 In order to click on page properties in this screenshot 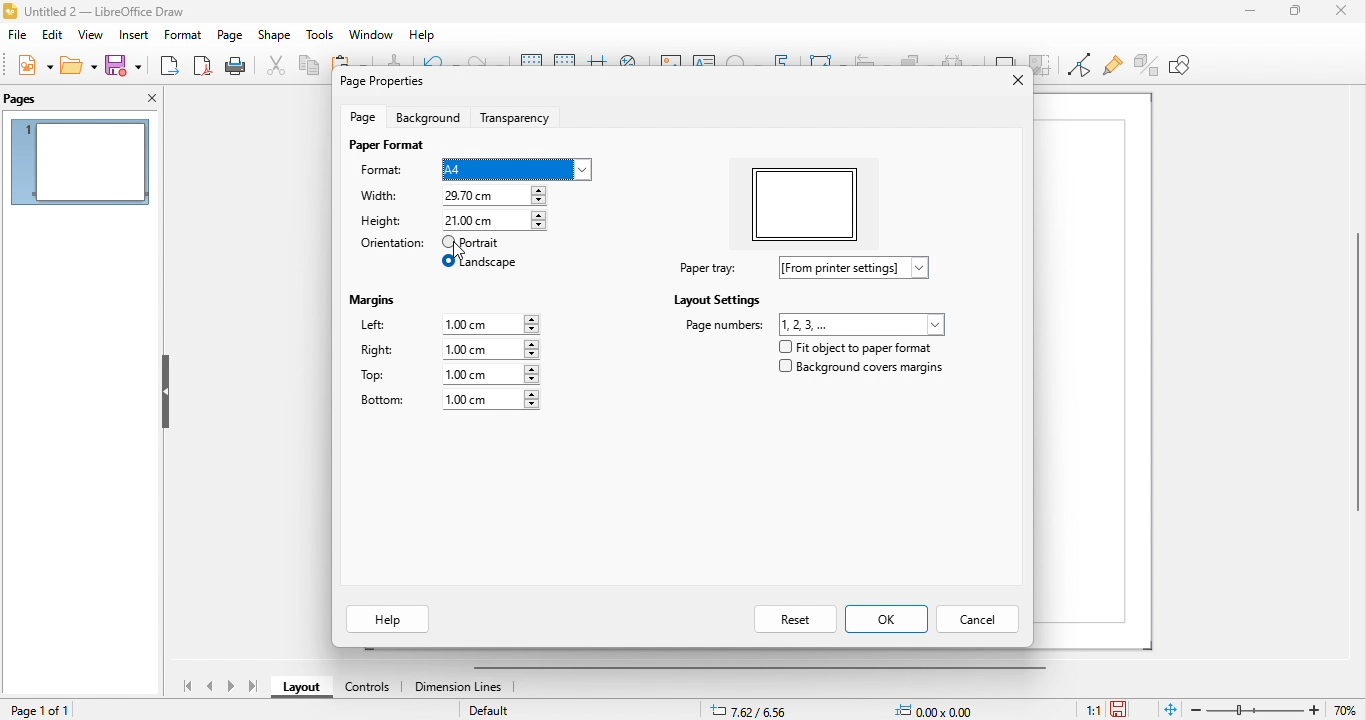, I will do `click(380, 81)`.